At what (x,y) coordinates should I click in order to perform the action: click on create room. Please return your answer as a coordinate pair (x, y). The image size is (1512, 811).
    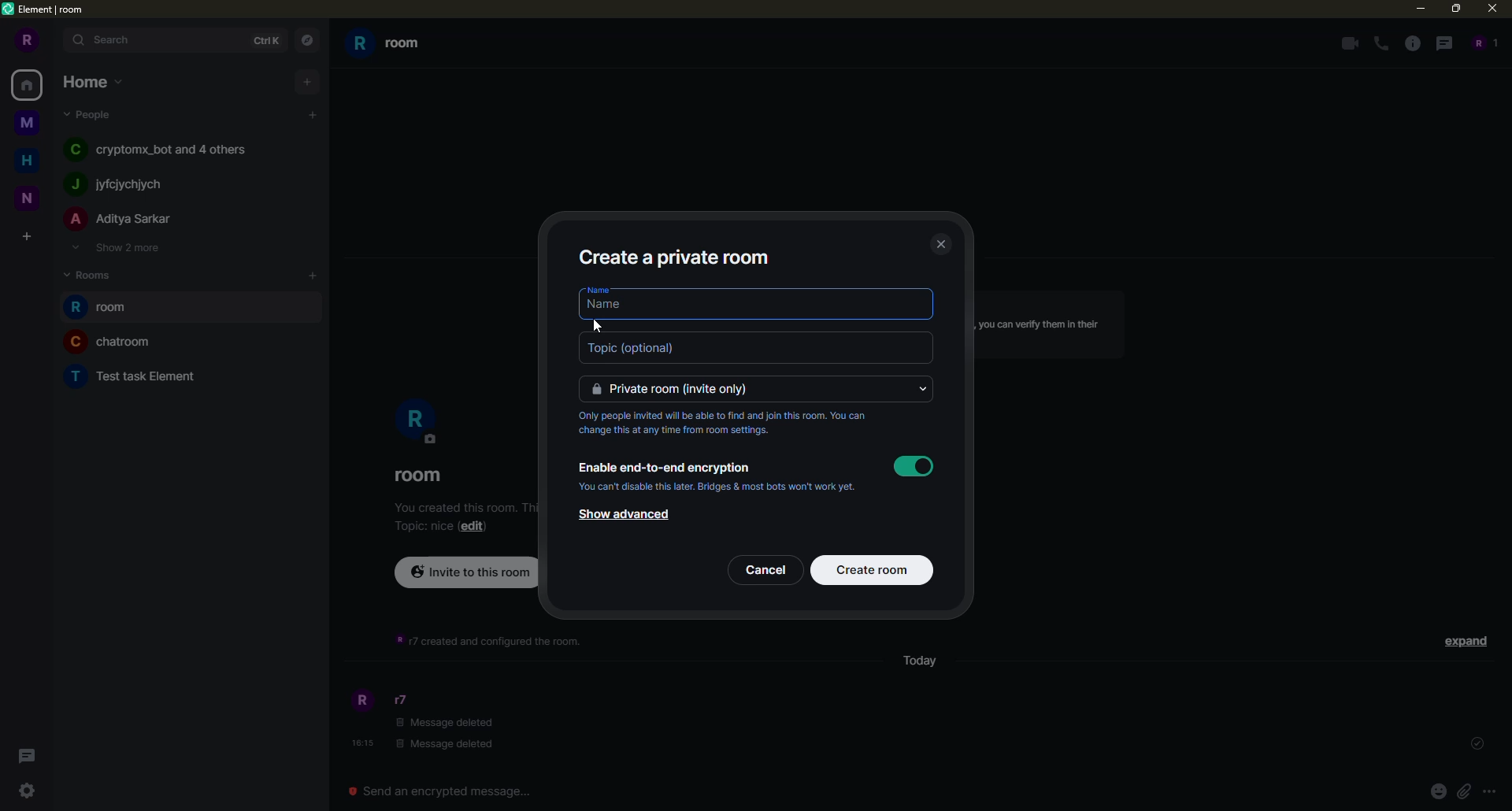
    Looking at the image, I should click on (872, 571).